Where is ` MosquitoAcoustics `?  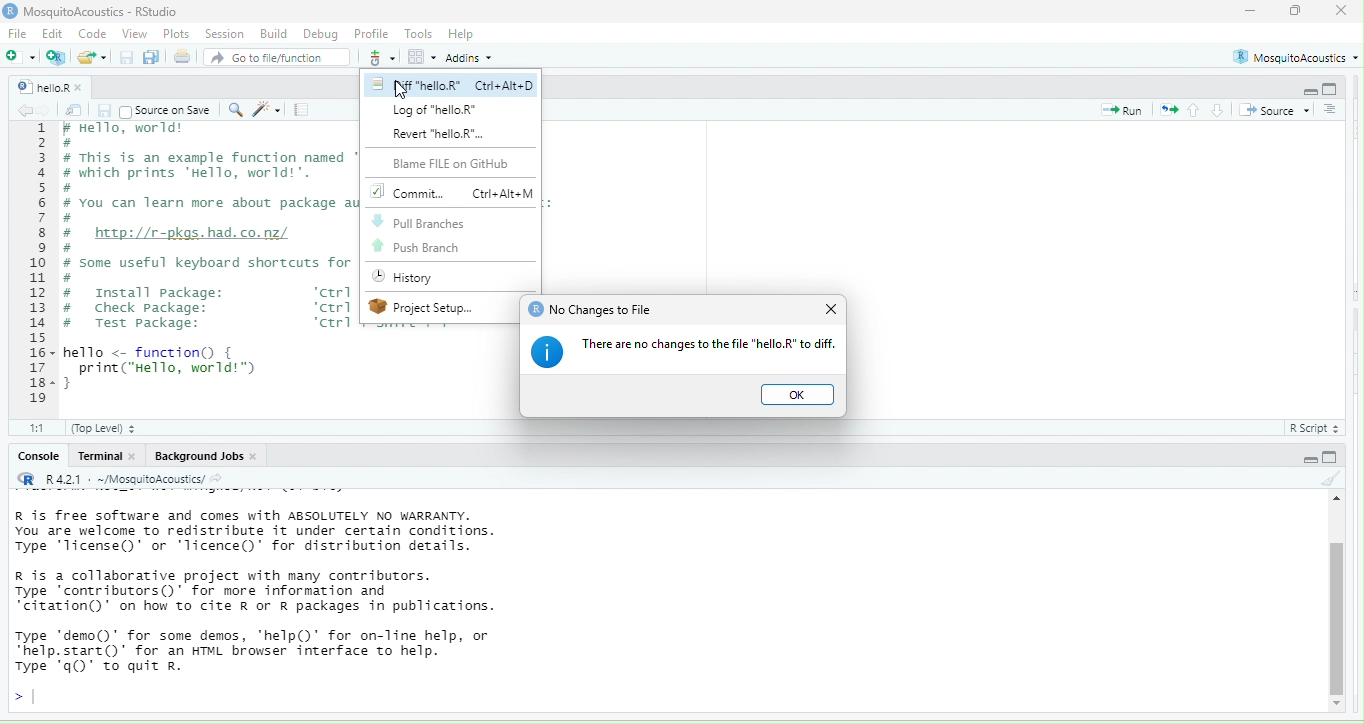
 MosquitoAcoustics  is located at coordinates (1298, 54).